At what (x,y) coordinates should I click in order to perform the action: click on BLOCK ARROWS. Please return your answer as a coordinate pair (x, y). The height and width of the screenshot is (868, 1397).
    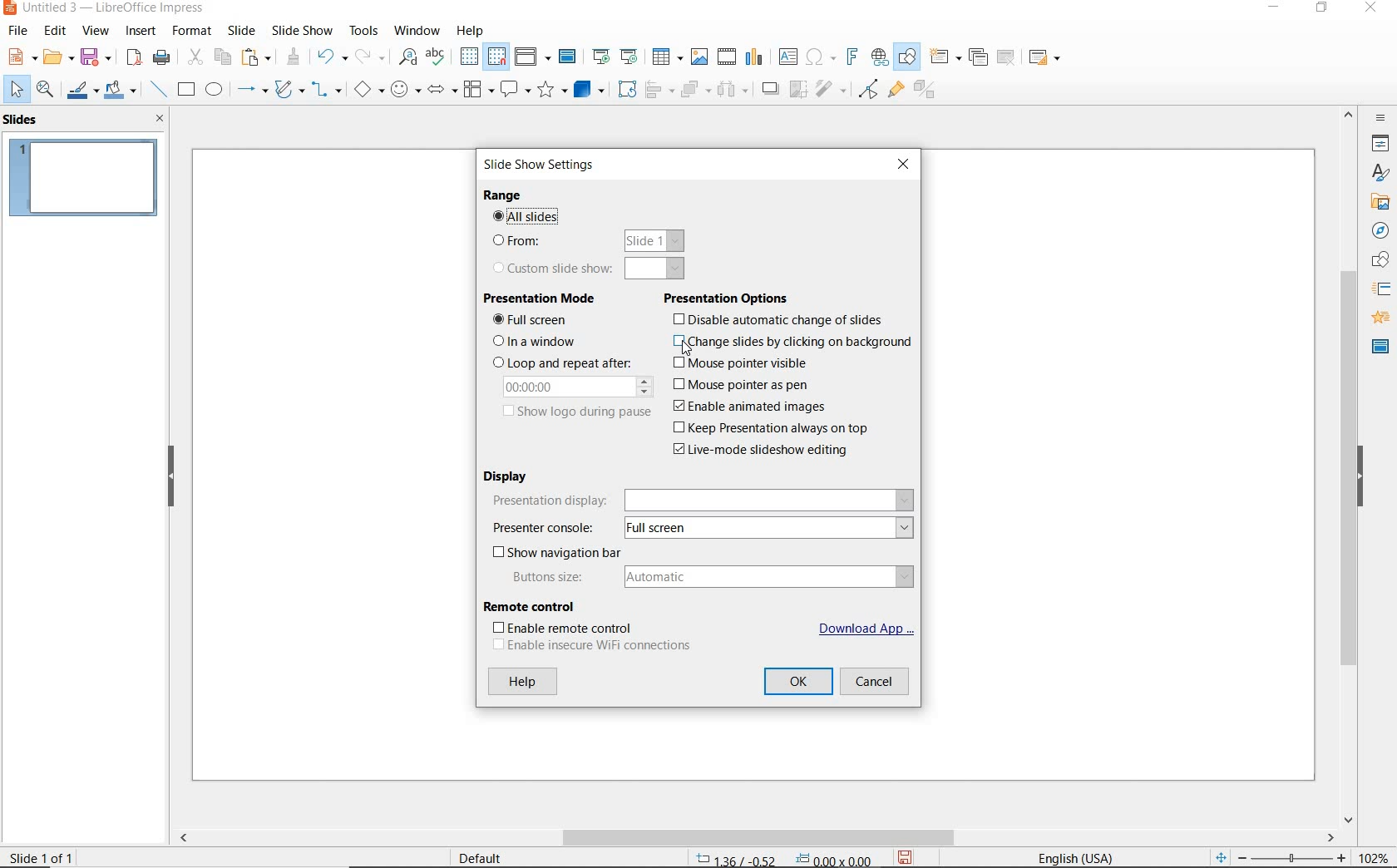
    Looking at the image, I should click on (442, 87).